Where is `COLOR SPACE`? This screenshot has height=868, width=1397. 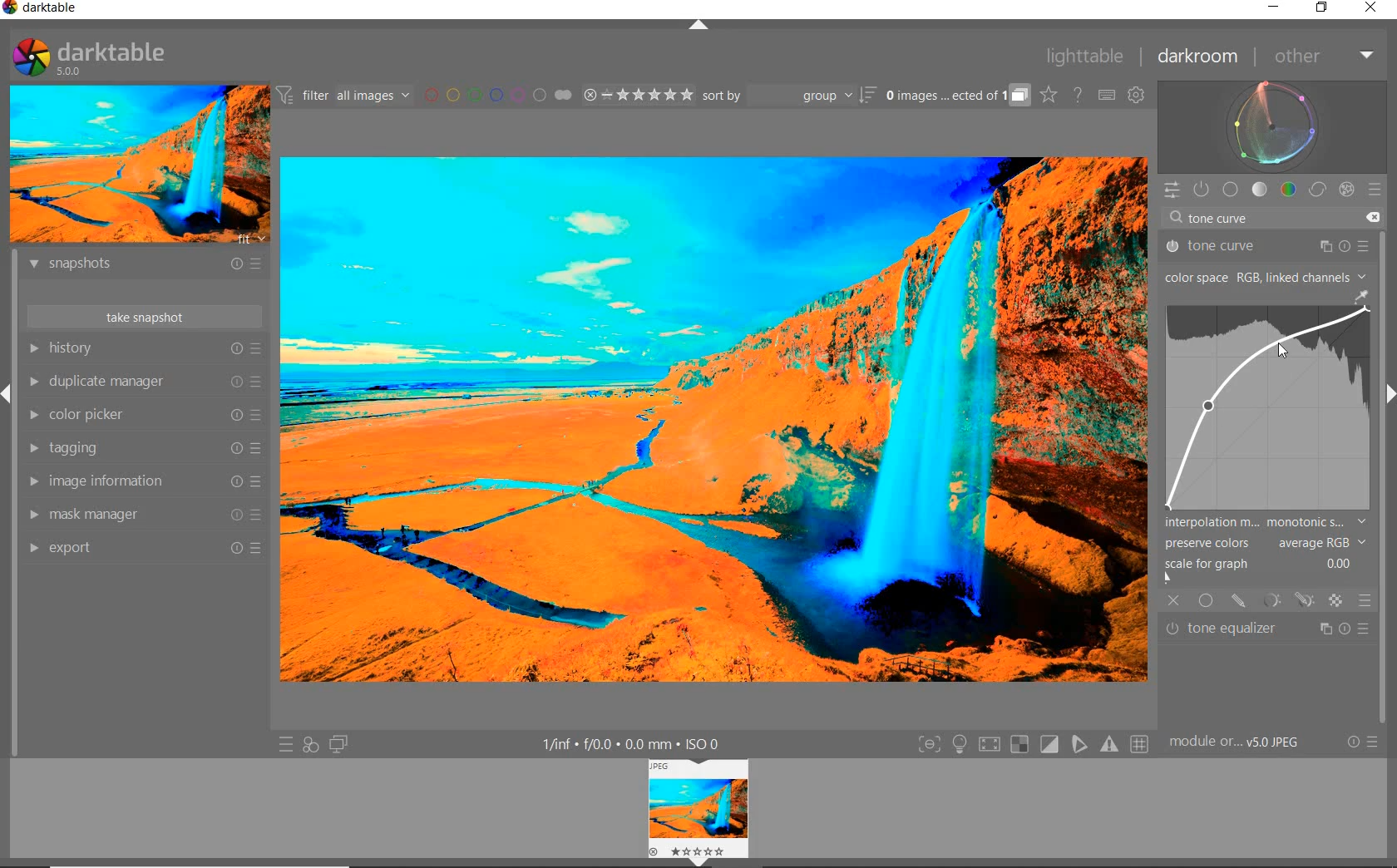
COLOR SPACE is located at coordinates (1266, 276).